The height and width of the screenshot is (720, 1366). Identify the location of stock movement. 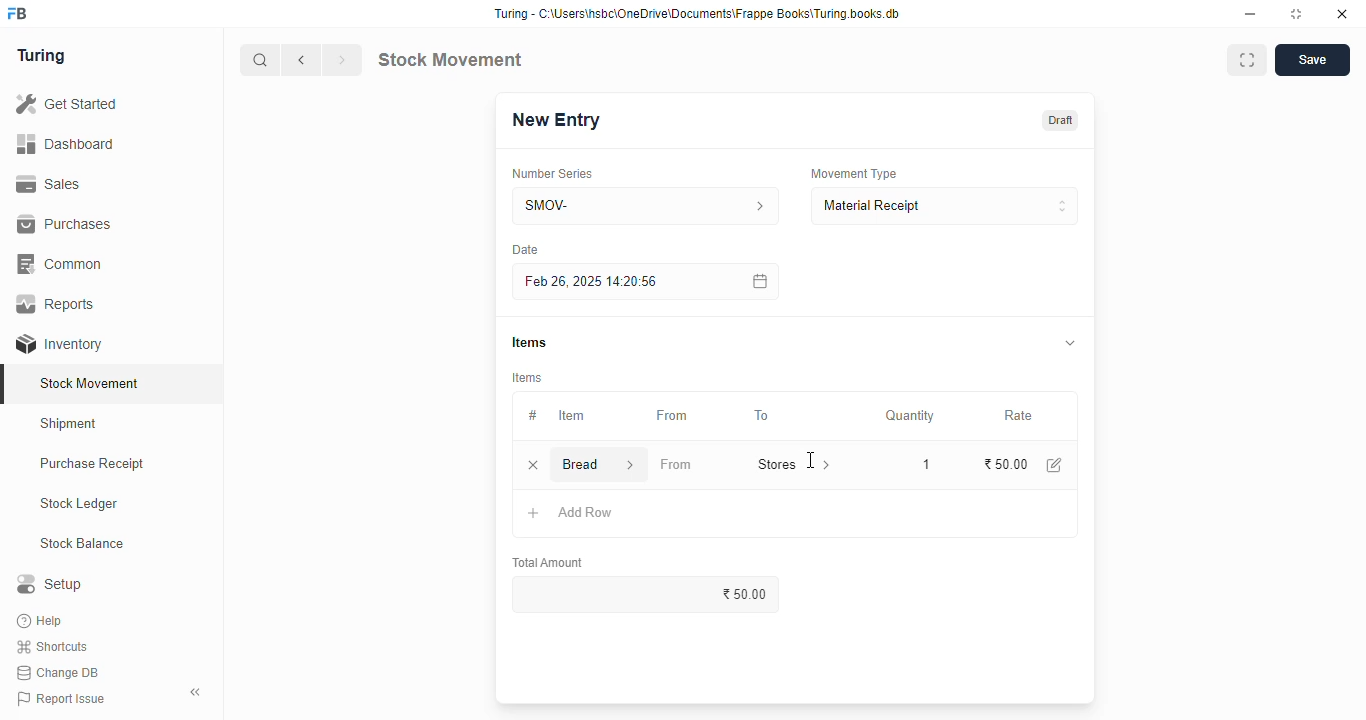
(91, 383).